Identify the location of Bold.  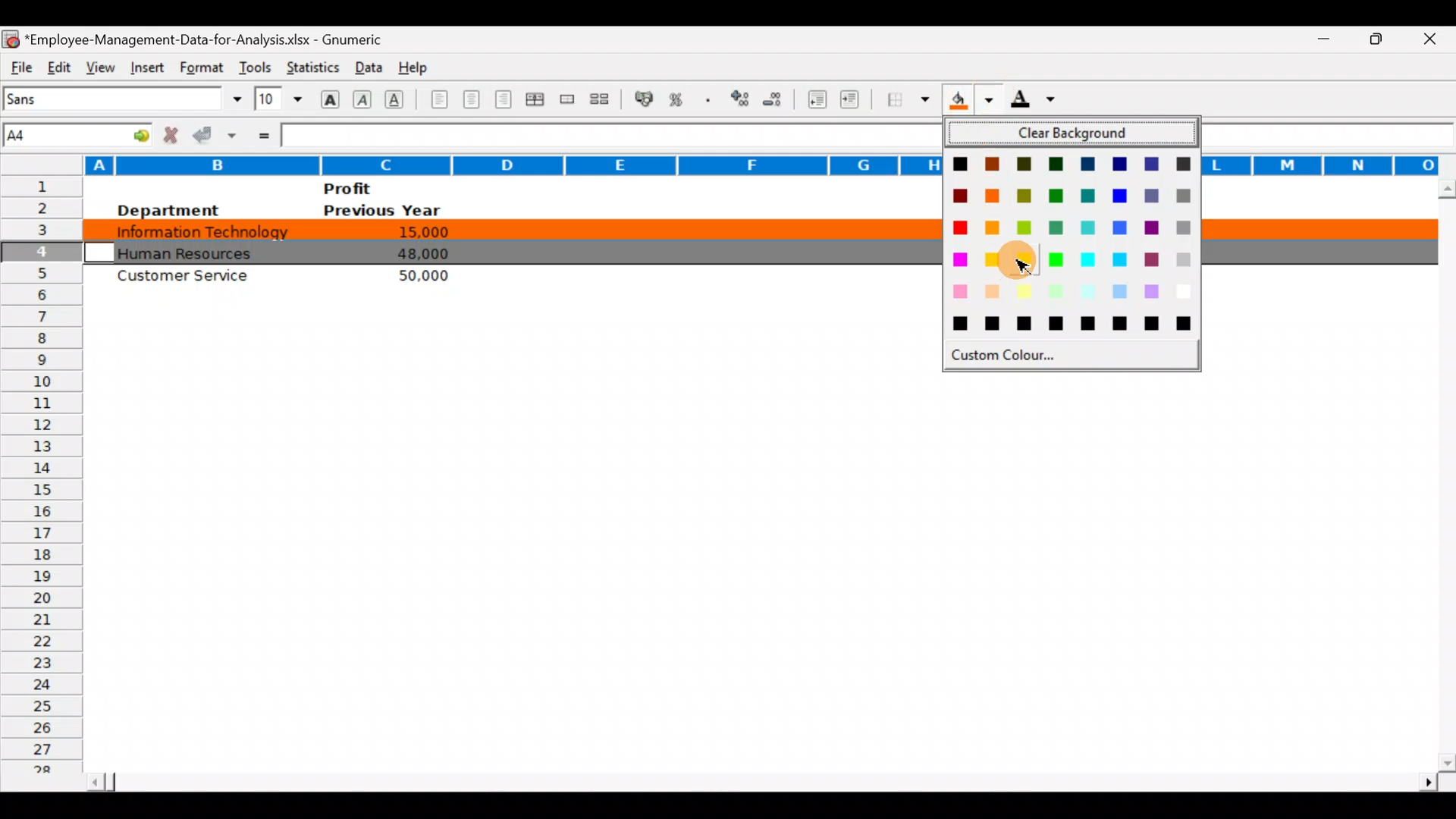
(328, 98).